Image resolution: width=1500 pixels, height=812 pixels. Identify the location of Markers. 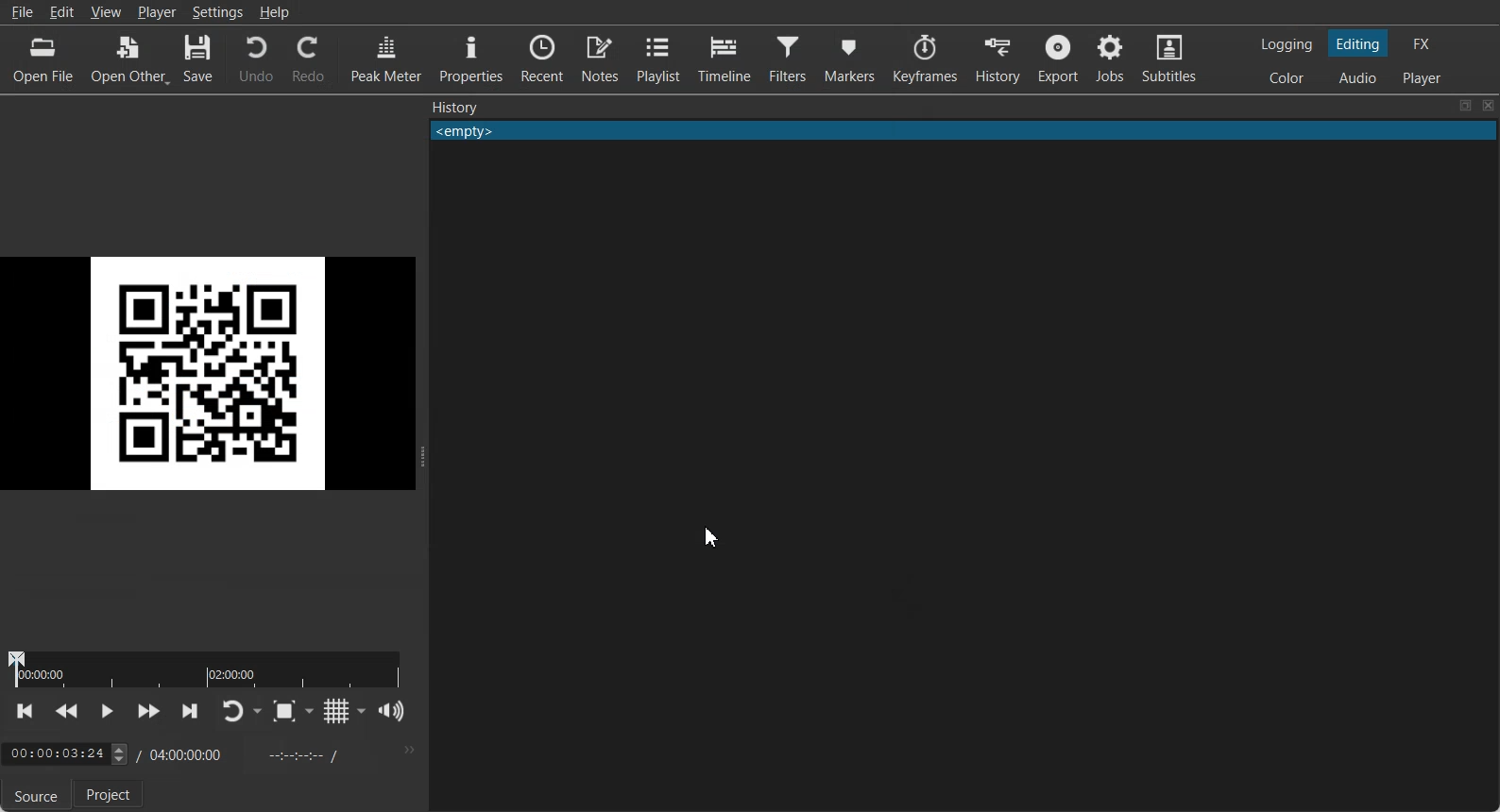
(850, 58).